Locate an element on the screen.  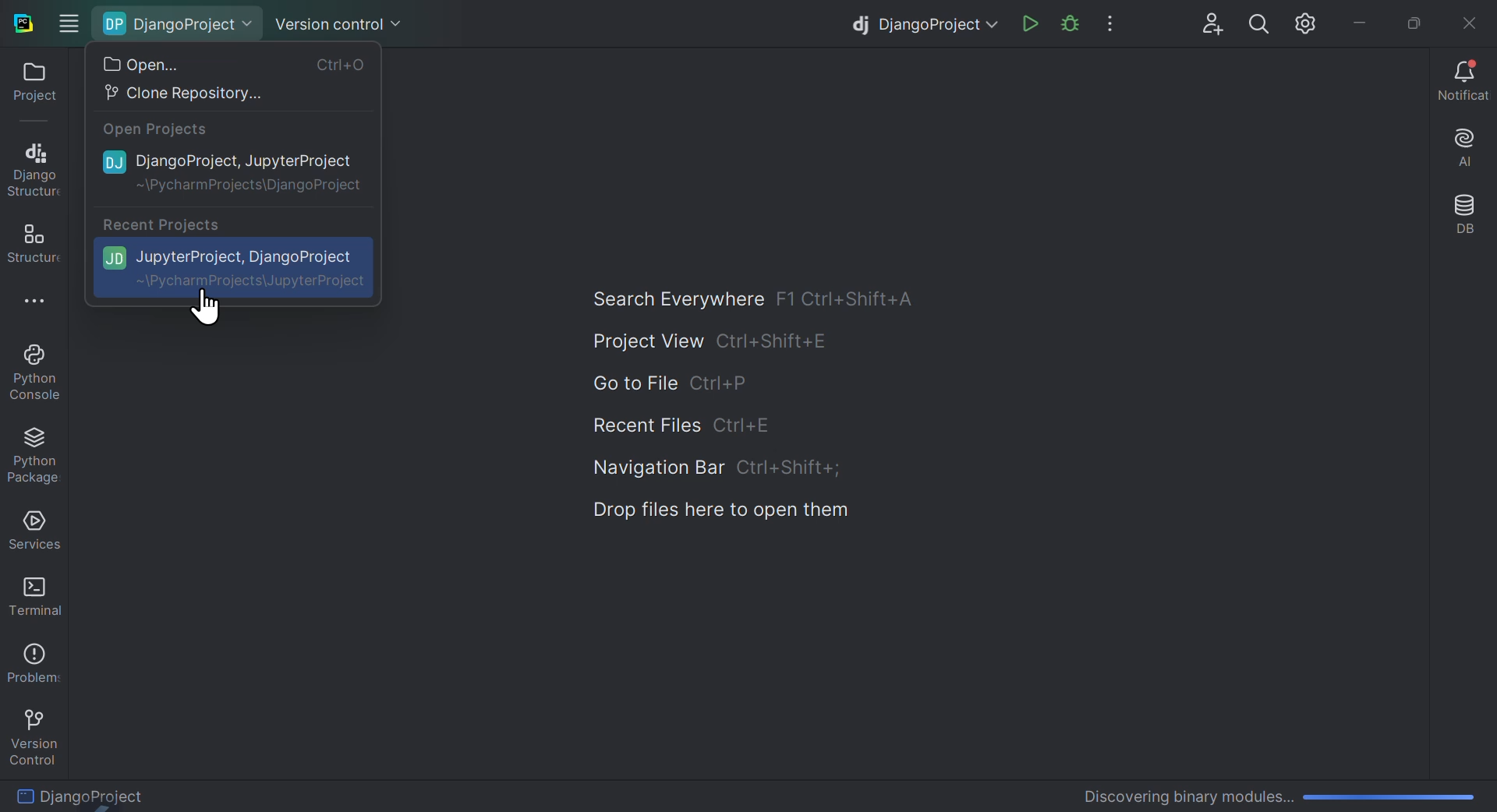
Django project is located at coordinates (175, 21).